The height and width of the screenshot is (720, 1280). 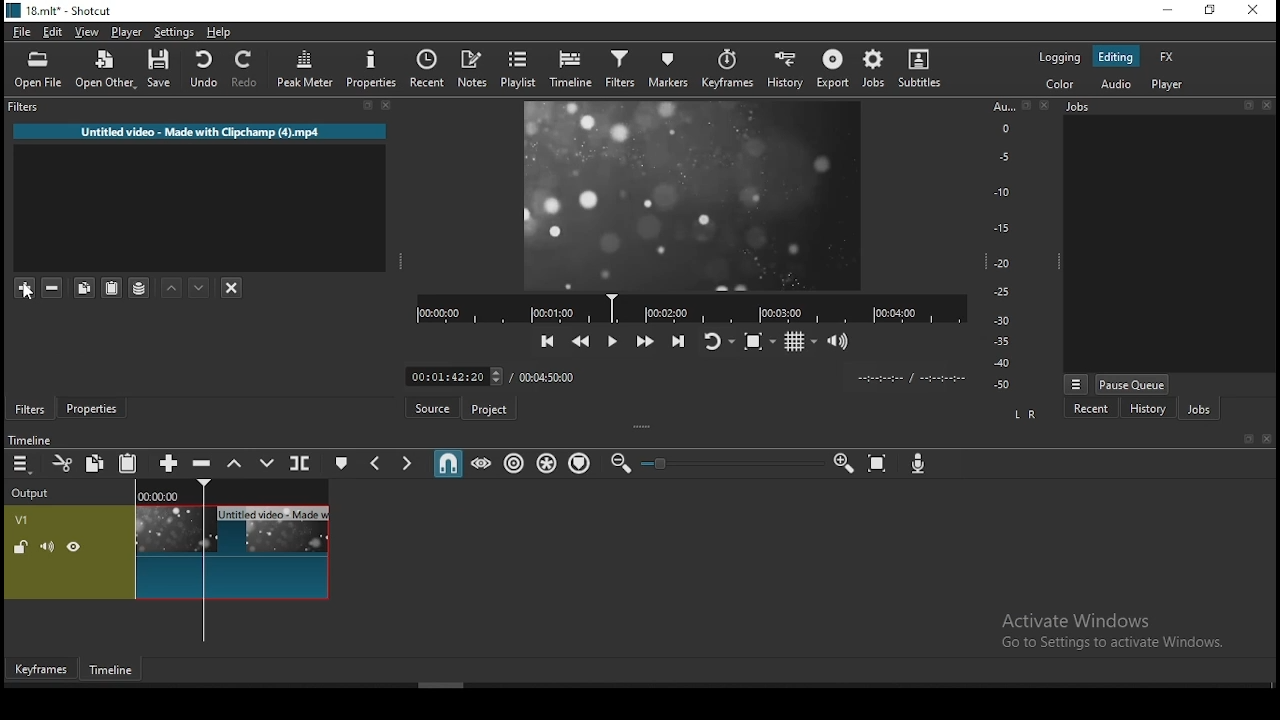 What do you see at coordinates (1078, 107) in the screenshot?
I see `Jobs` at bounding box center [1078, 107].